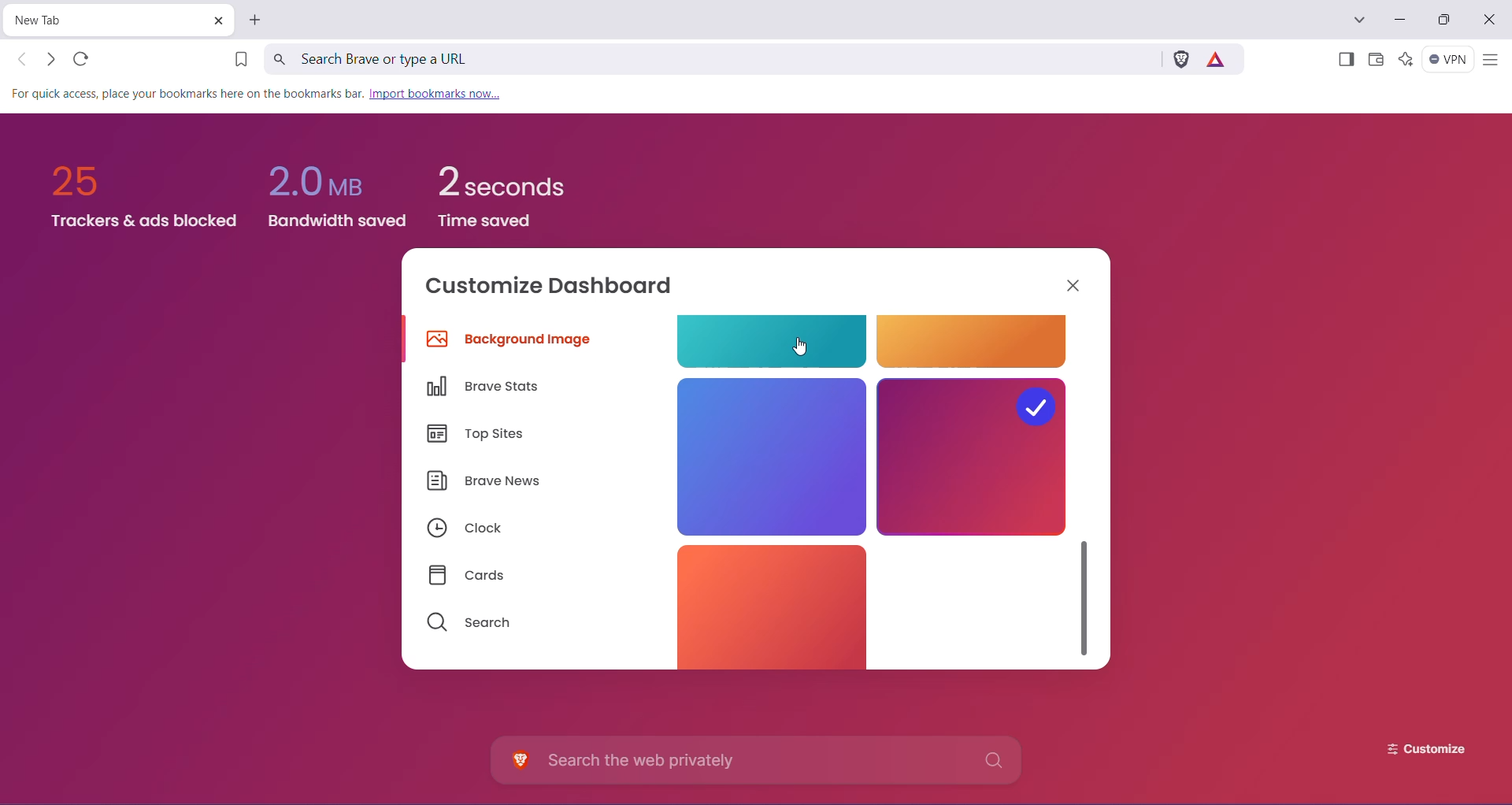 This screenshot has width=1512, height=805. I want to click on Brave Shields, so click(1180, 58).